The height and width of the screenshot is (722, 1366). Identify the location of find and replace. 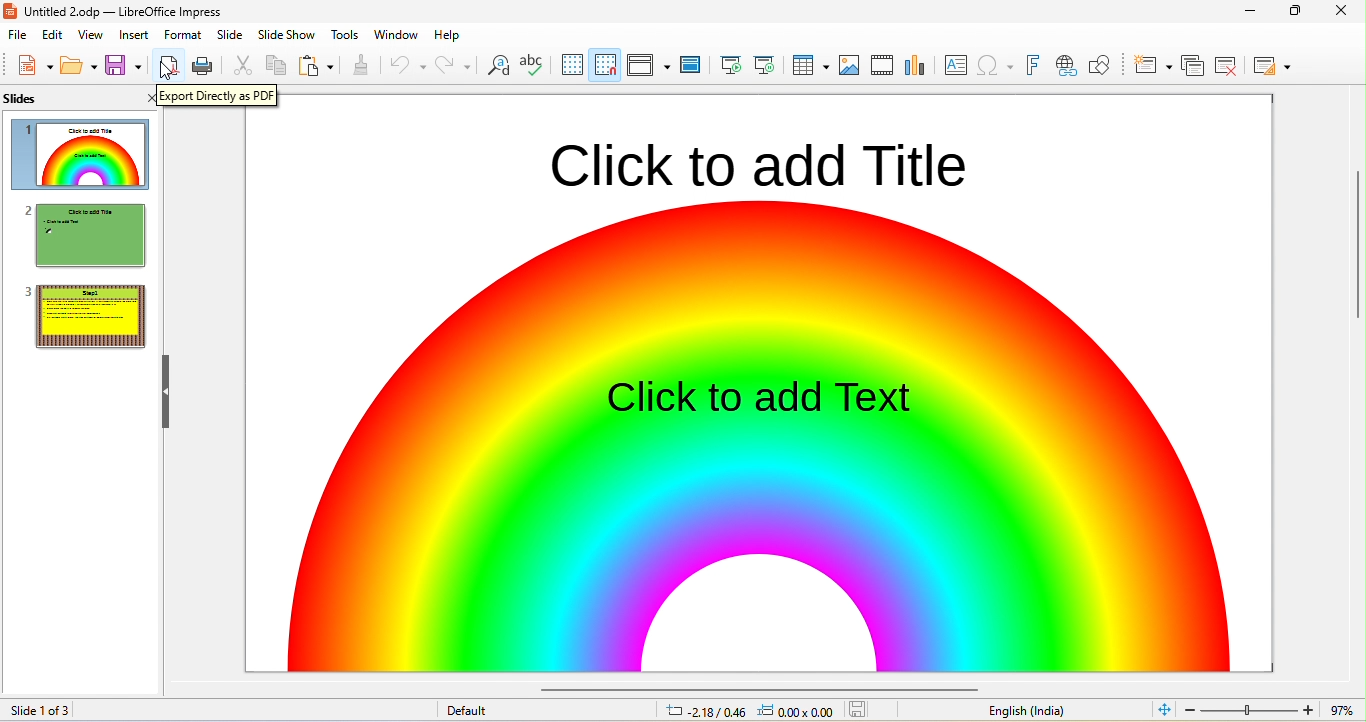
(499, 65).